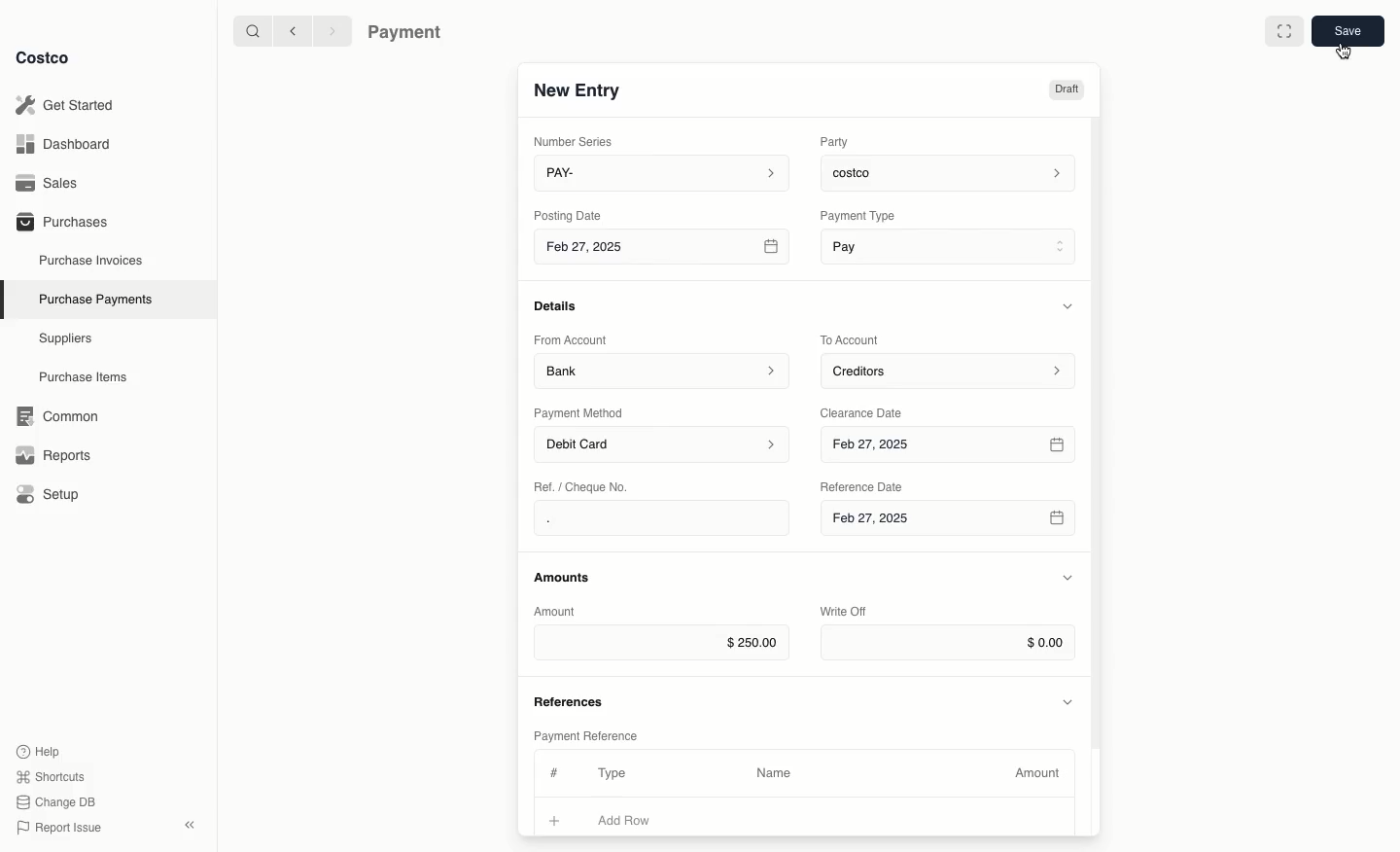  I want to click on References, so click(572, 699).